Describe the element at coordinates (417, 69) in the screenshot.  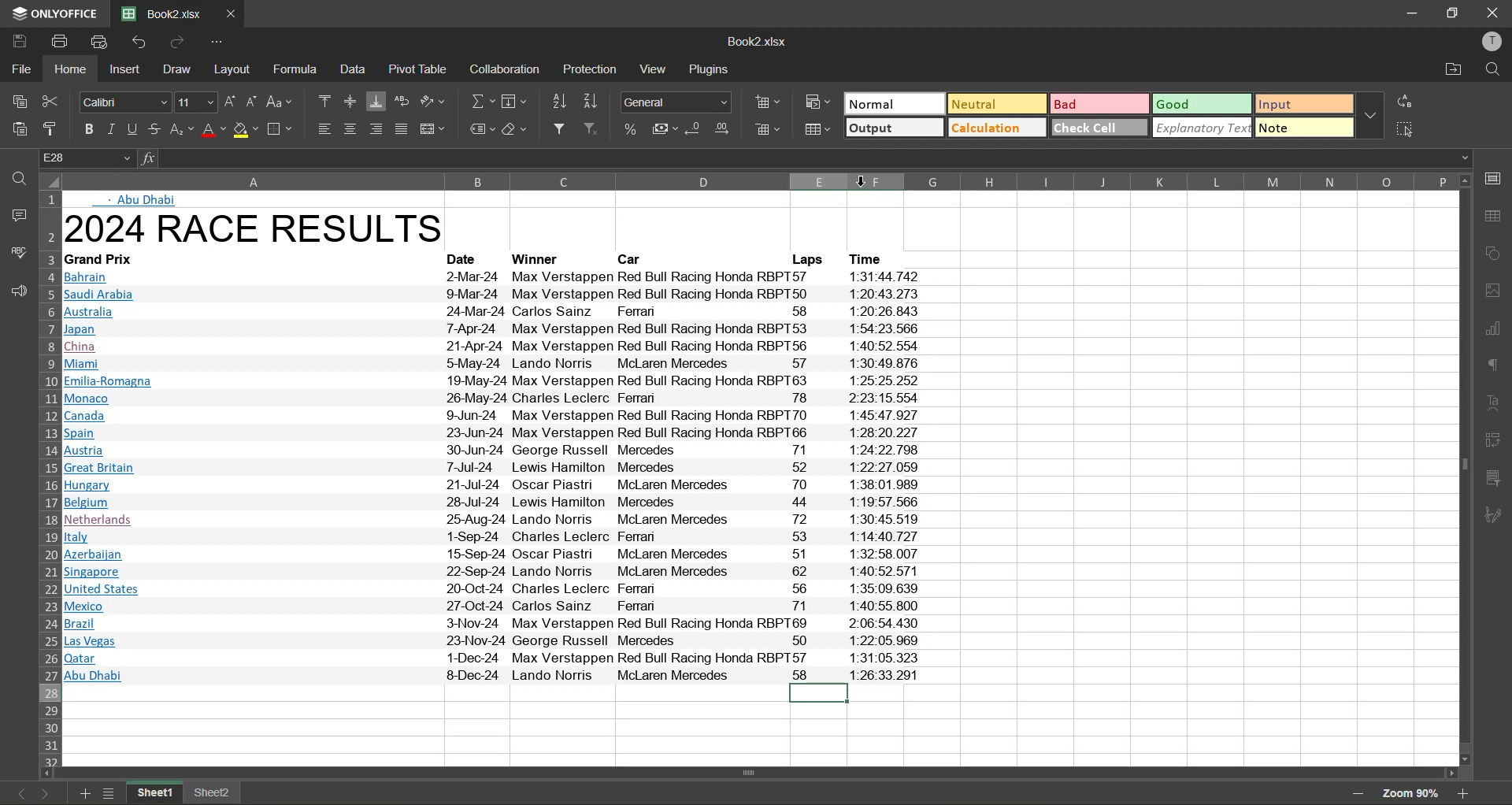
I see `pivot table` at that location.